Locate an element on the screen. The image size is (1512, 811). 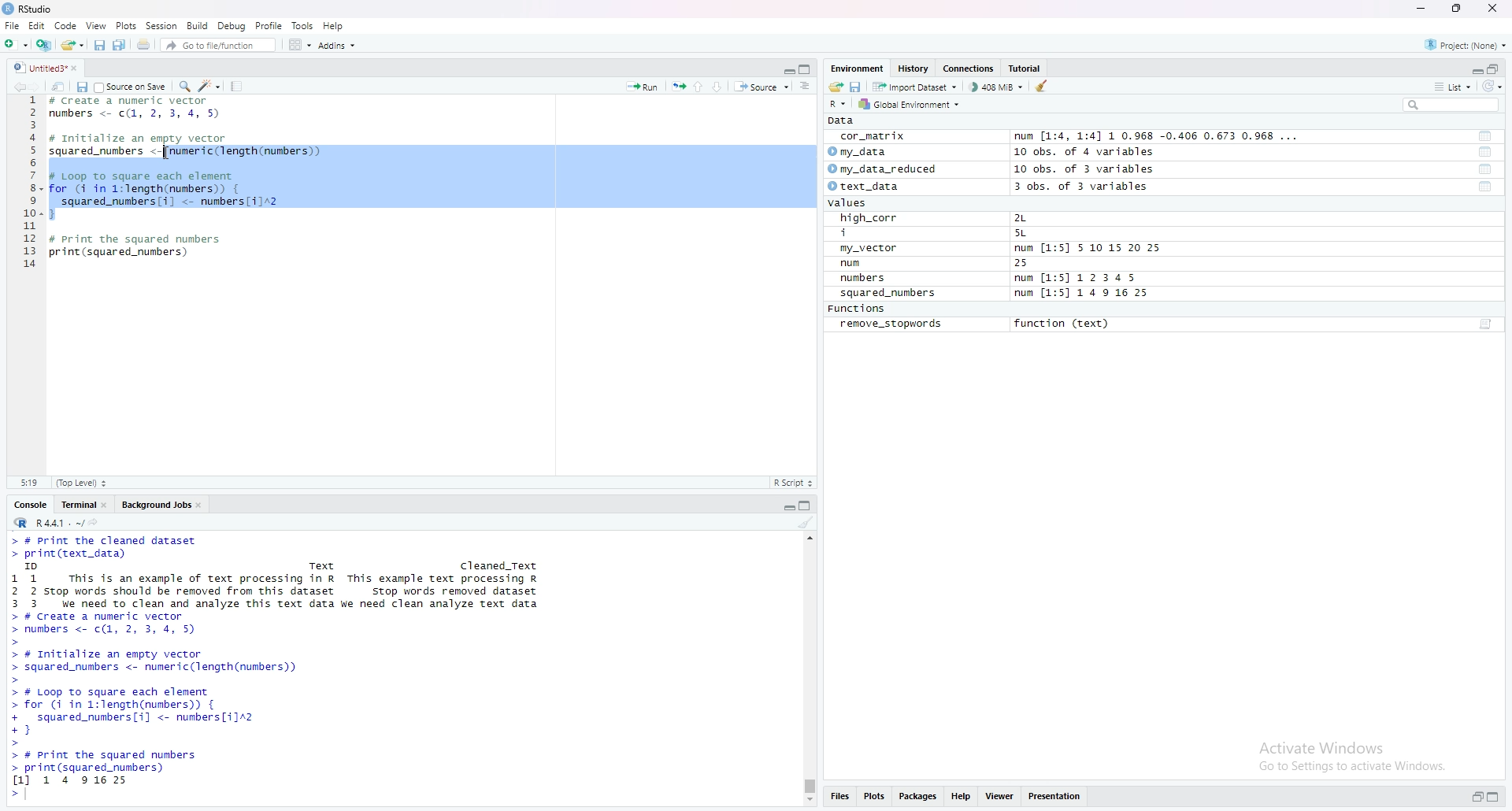
Go to file/function is located at coordinates (217, 43).